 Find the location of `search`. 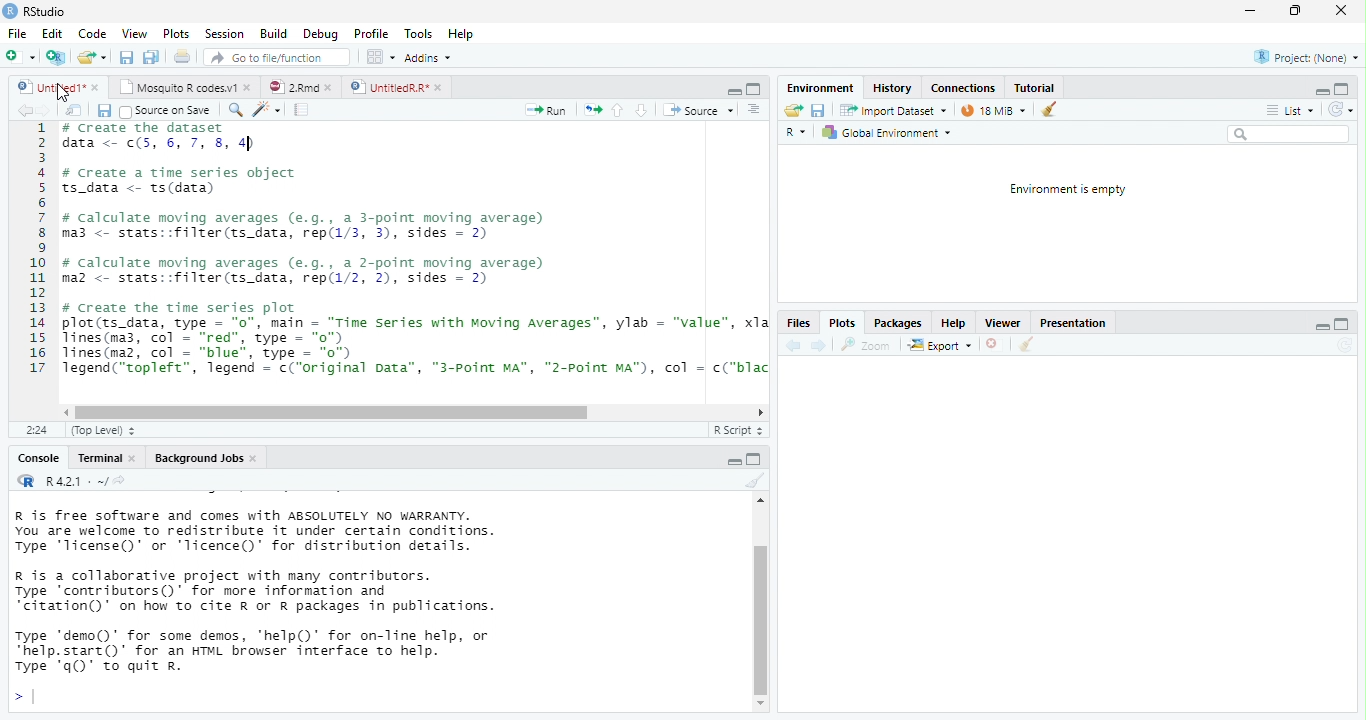

search is located at coordinates (1288, 134).